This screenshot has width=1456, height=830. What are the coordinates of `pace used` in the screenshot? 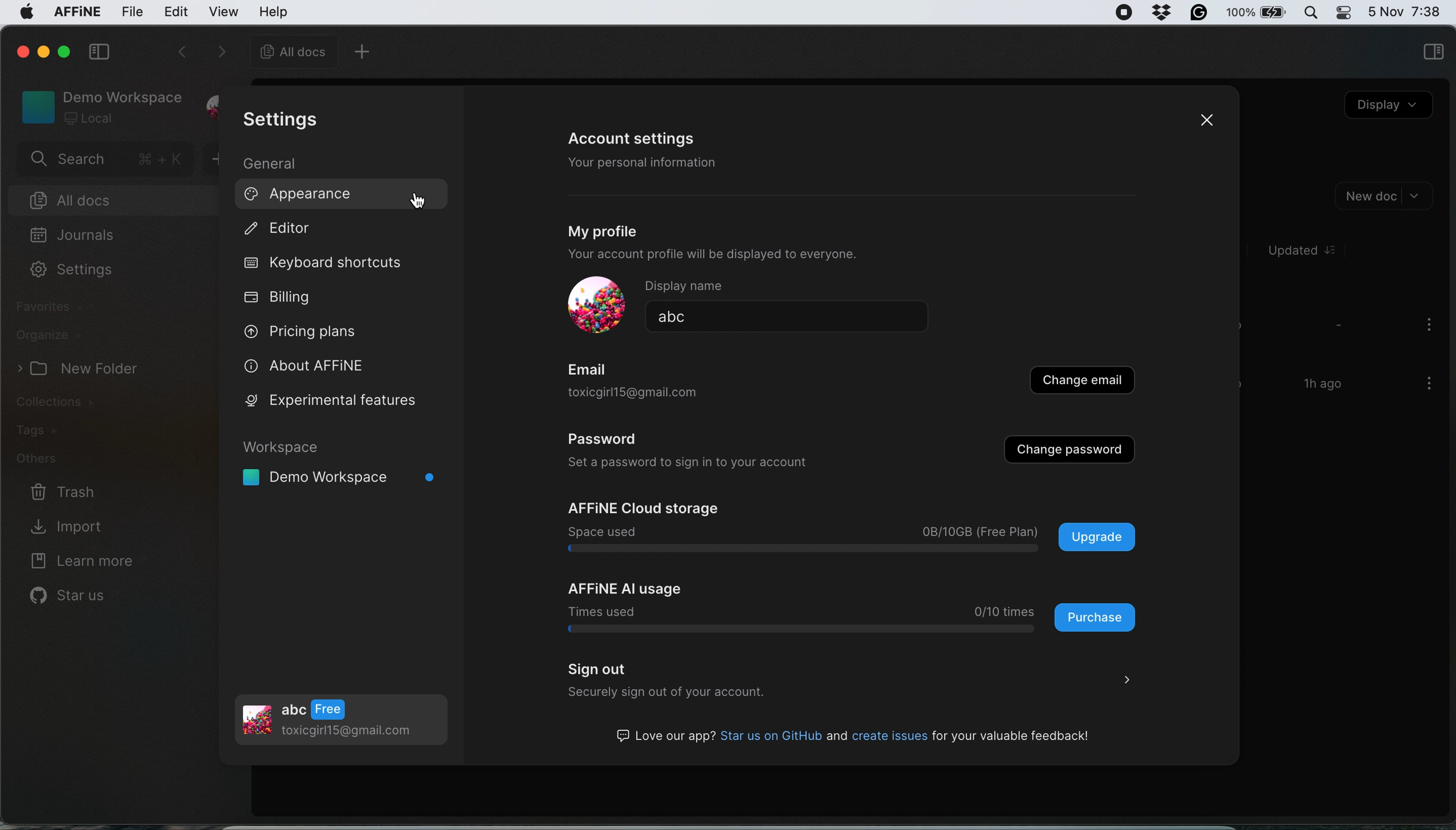 It's located at (607, 532).